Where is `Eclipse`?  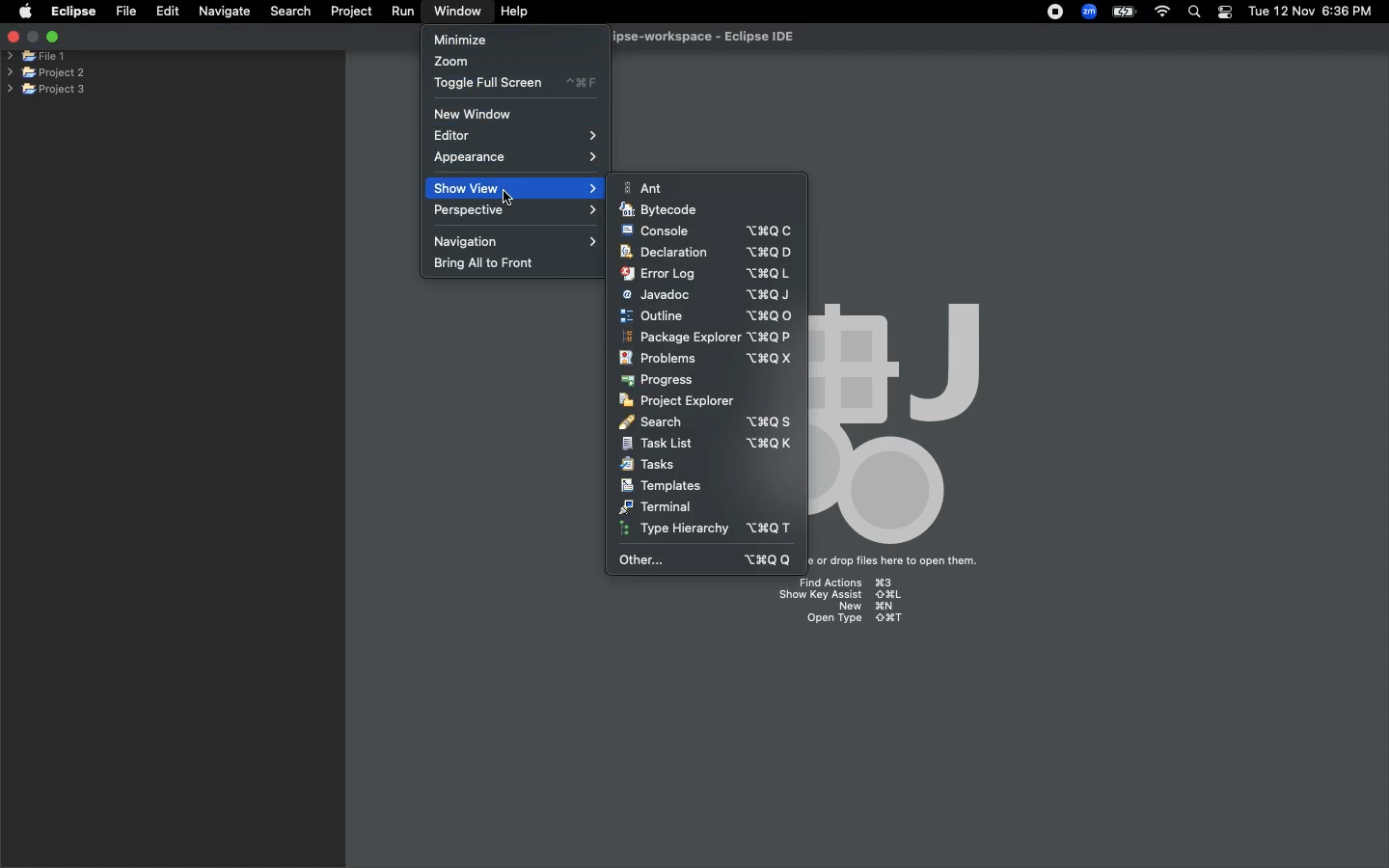 Eclipse is located at coordinates (72, 12).